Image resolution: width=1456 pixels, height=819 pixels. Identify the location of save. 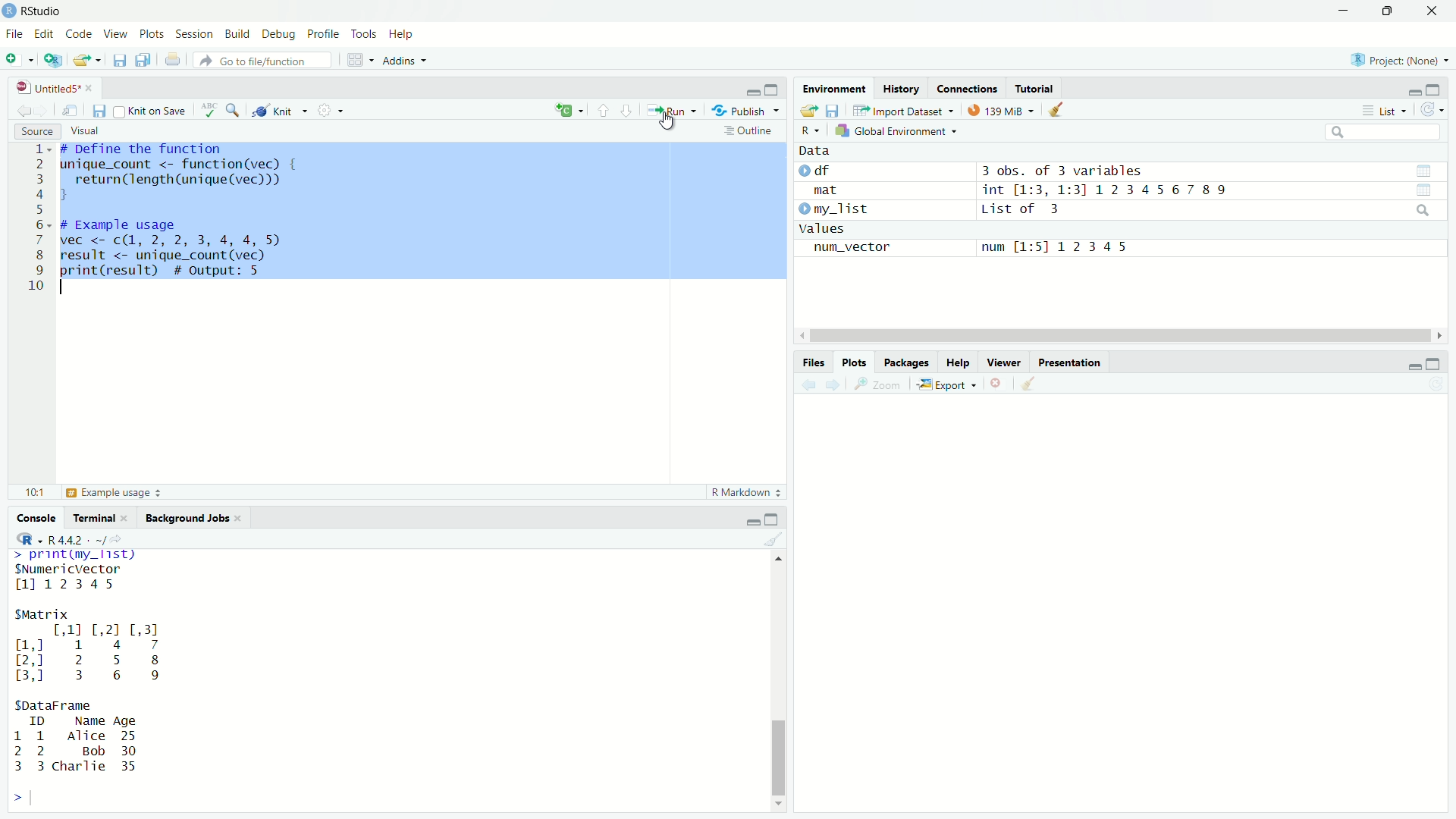
(834, 110).